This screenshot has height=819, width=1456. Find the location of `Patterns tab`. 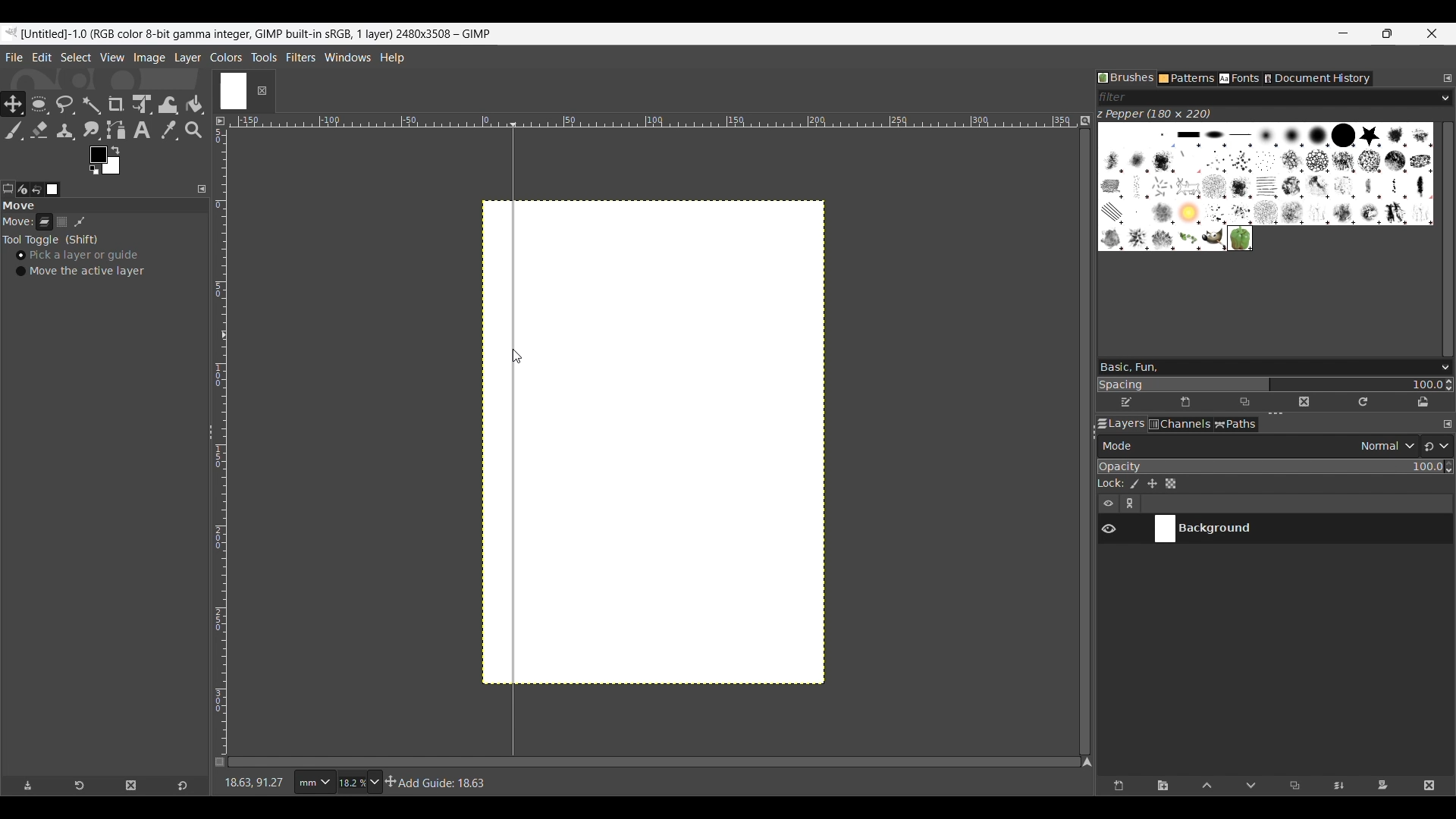

Patterns tab is located at coordinates (1187, 79).